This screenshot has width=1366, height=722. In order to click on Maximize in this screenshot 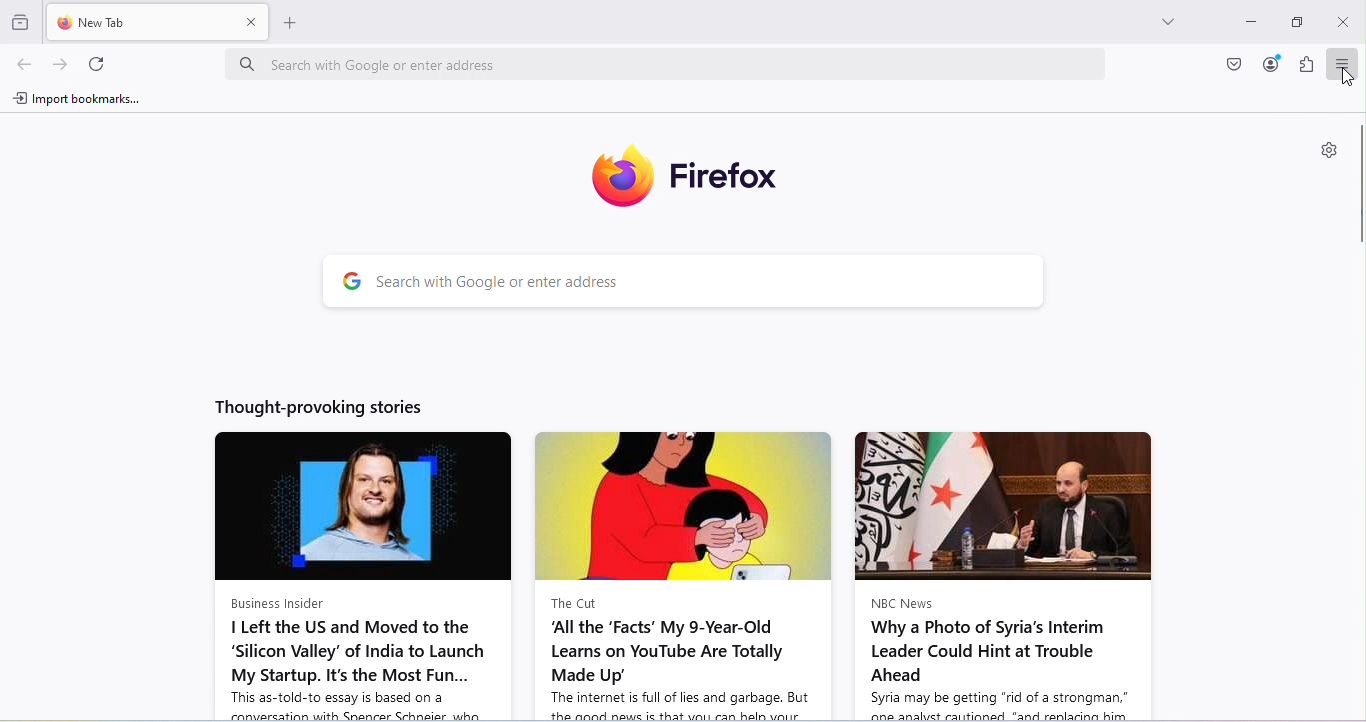, I will do `click(1295, 24)`.